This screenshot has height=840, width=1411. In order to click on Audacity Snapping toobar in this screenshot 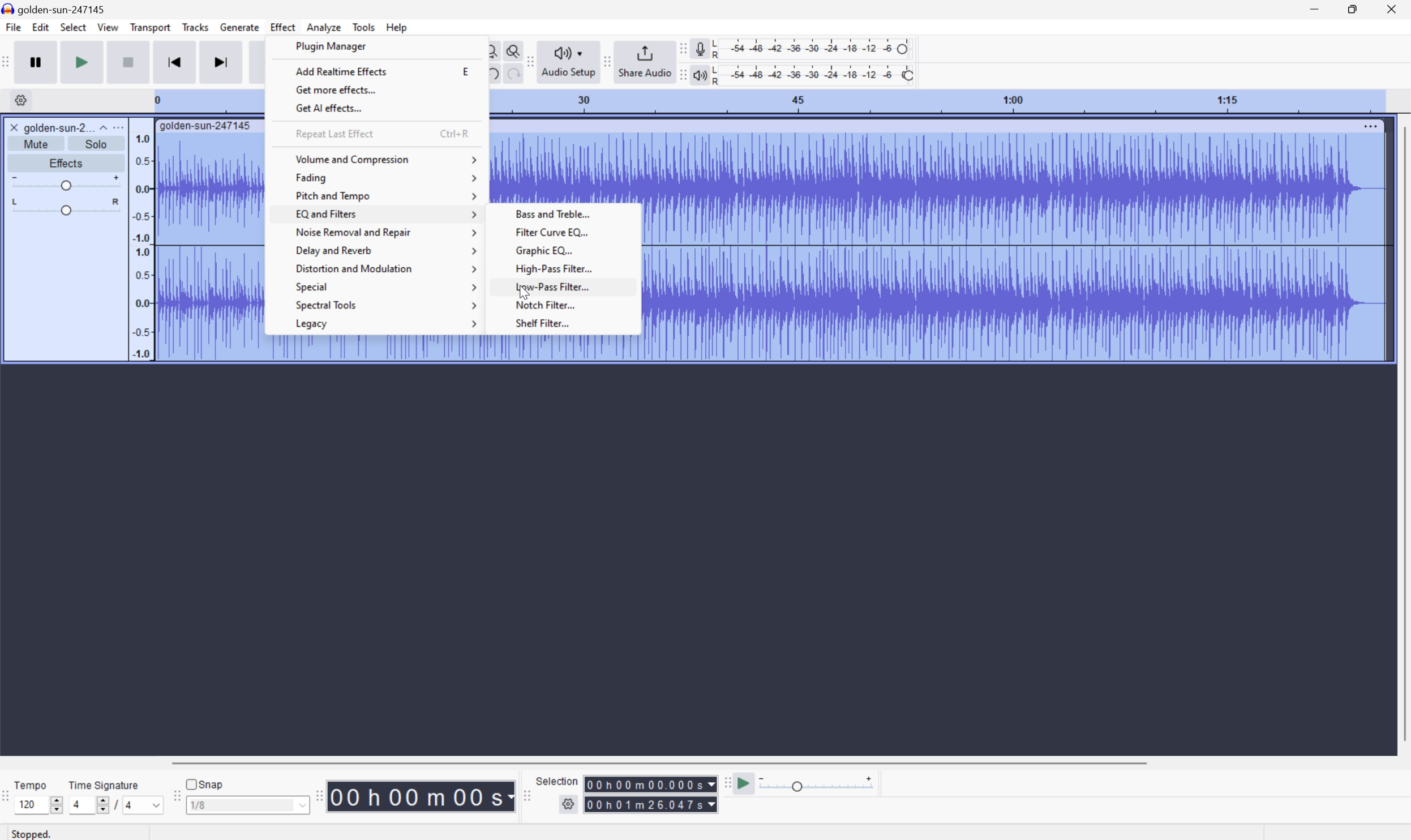, I will do `click(174, 797)`.